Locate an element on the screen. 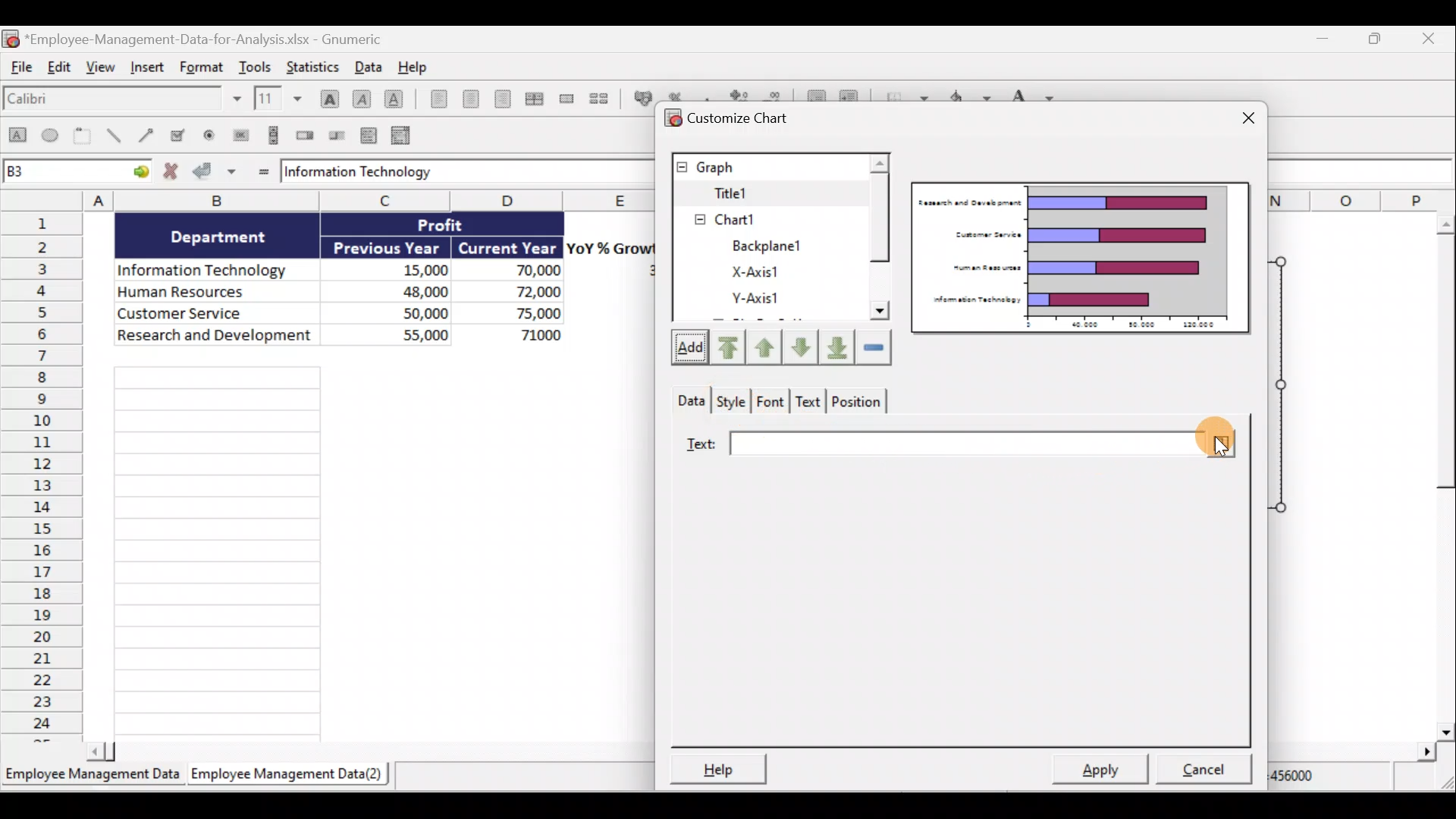  Create a spin button is located at coordinates (306, 136).